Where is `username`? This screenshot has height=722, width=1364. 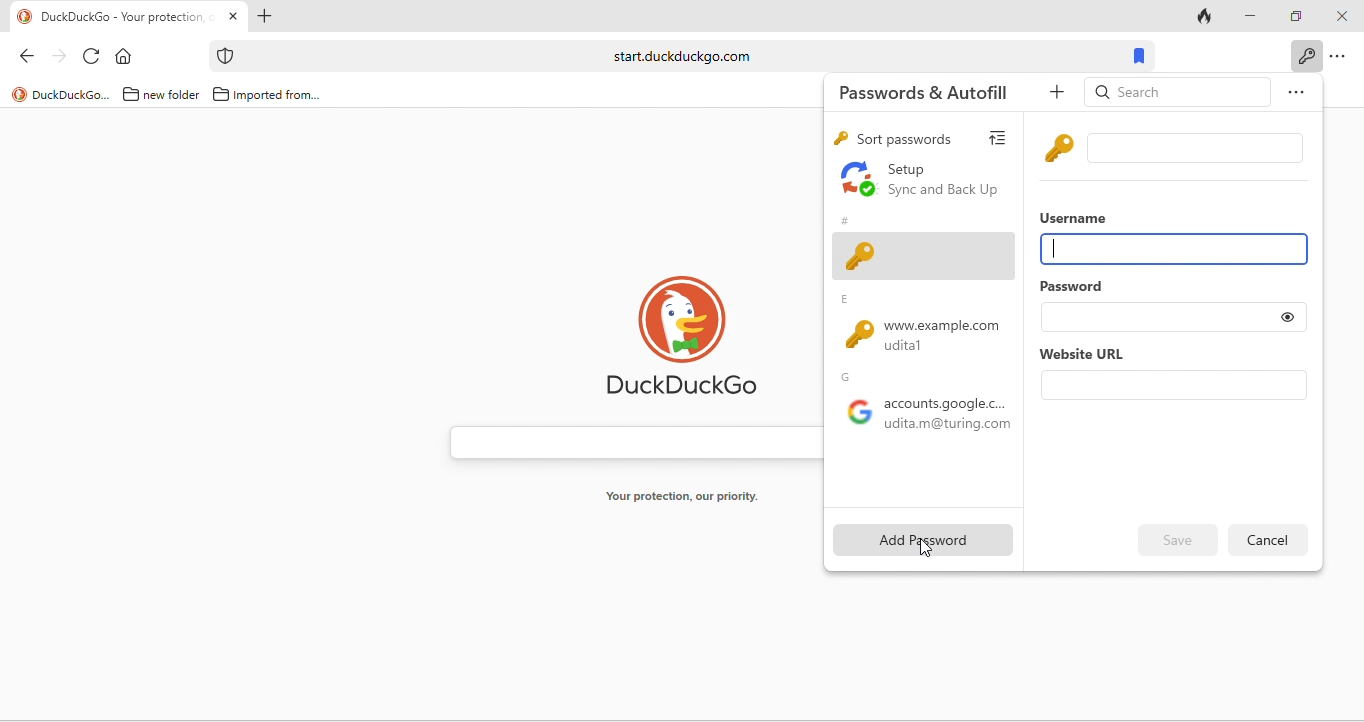
username is located at coordinates (1078, 216).